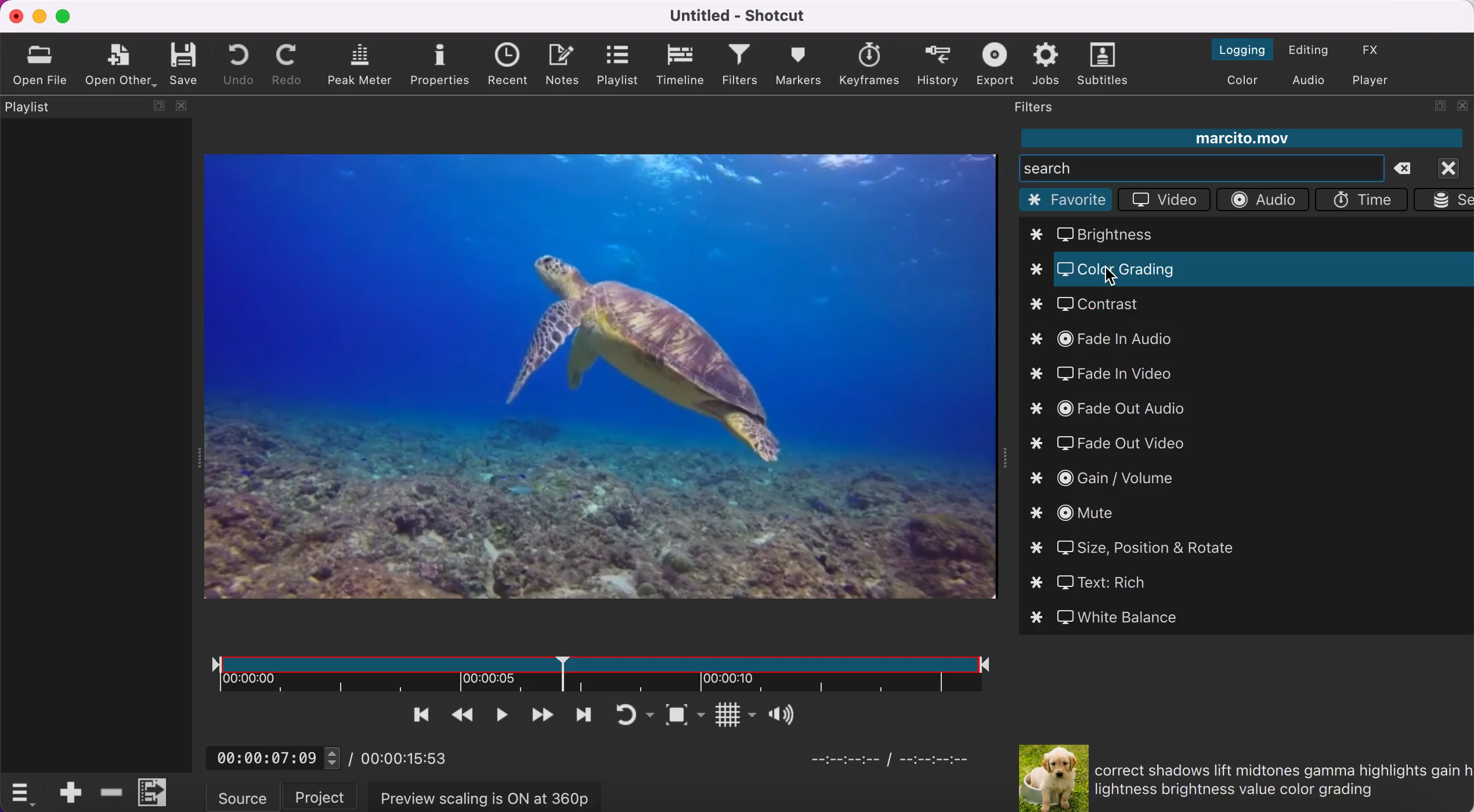 The width and height of the screenshot is (1474, 812). I want to click on switch to the effect layout, so click(1383, 50).